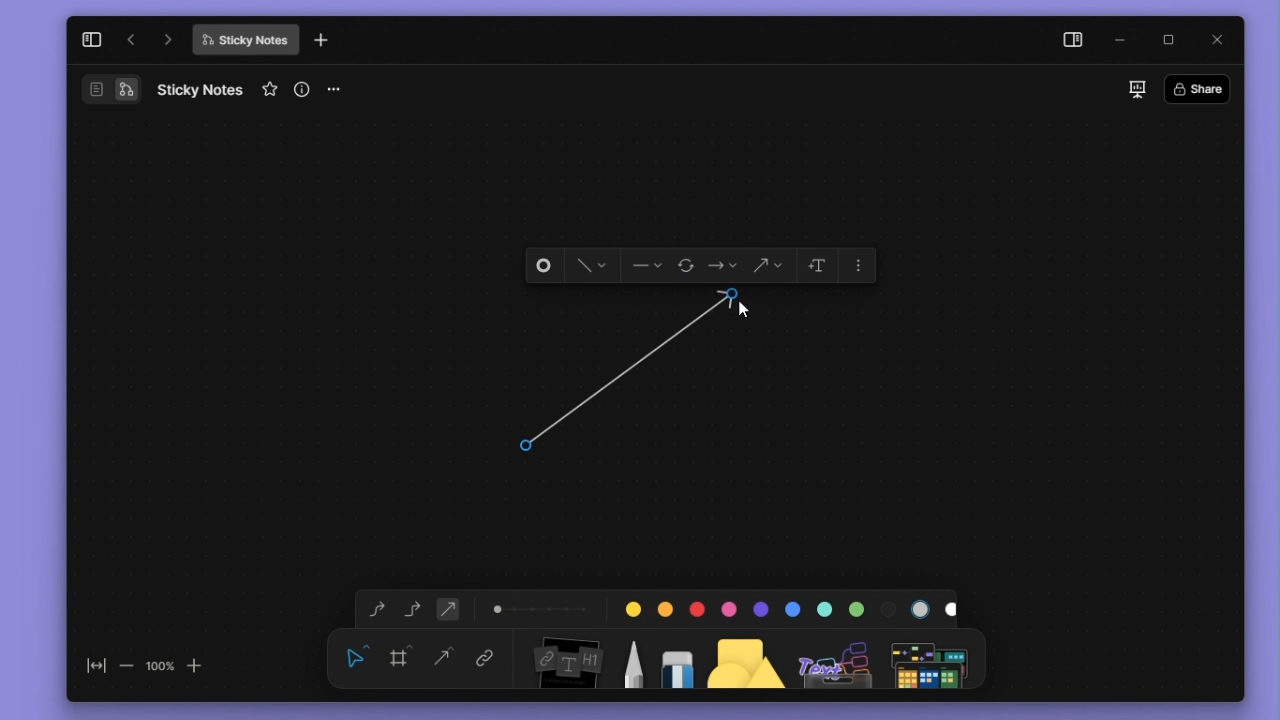 This screenshot has height=720, width=1280. I want to click on straight, so click(444, 659).